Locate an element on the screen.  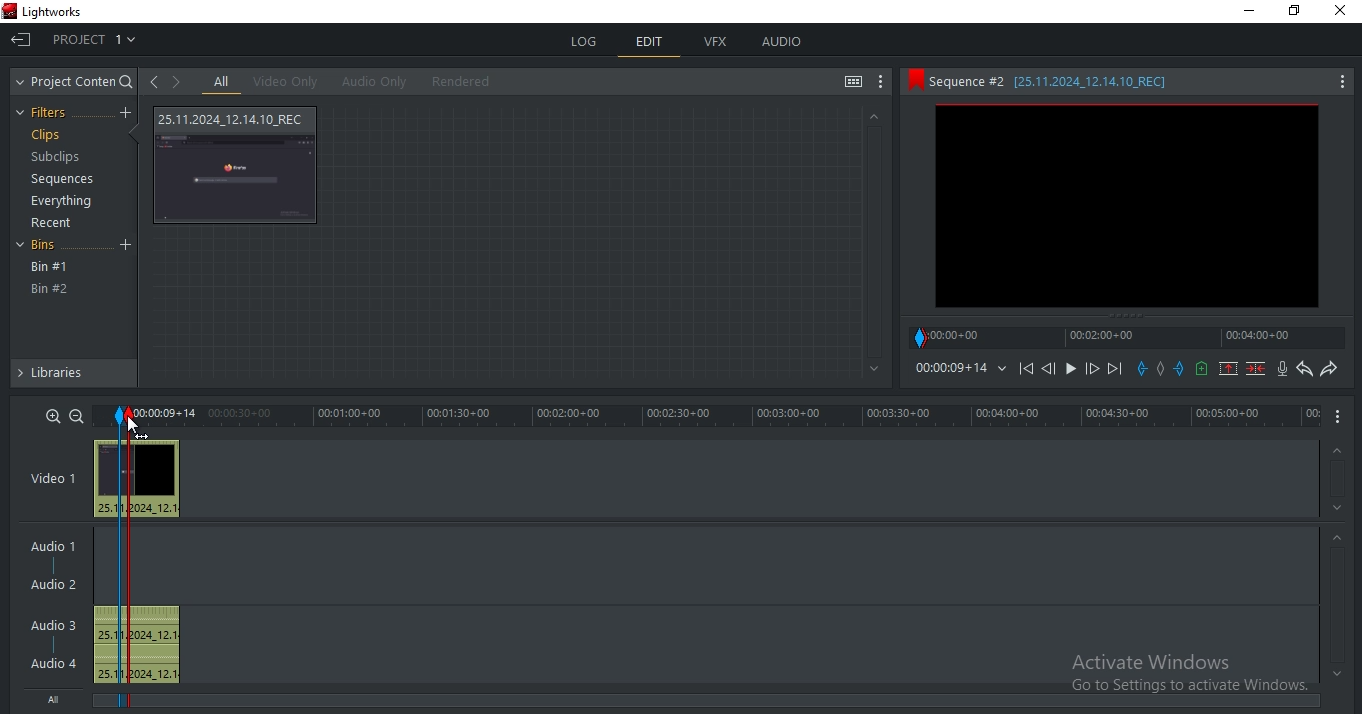
add a cue is located at coordinates (1203, 369).